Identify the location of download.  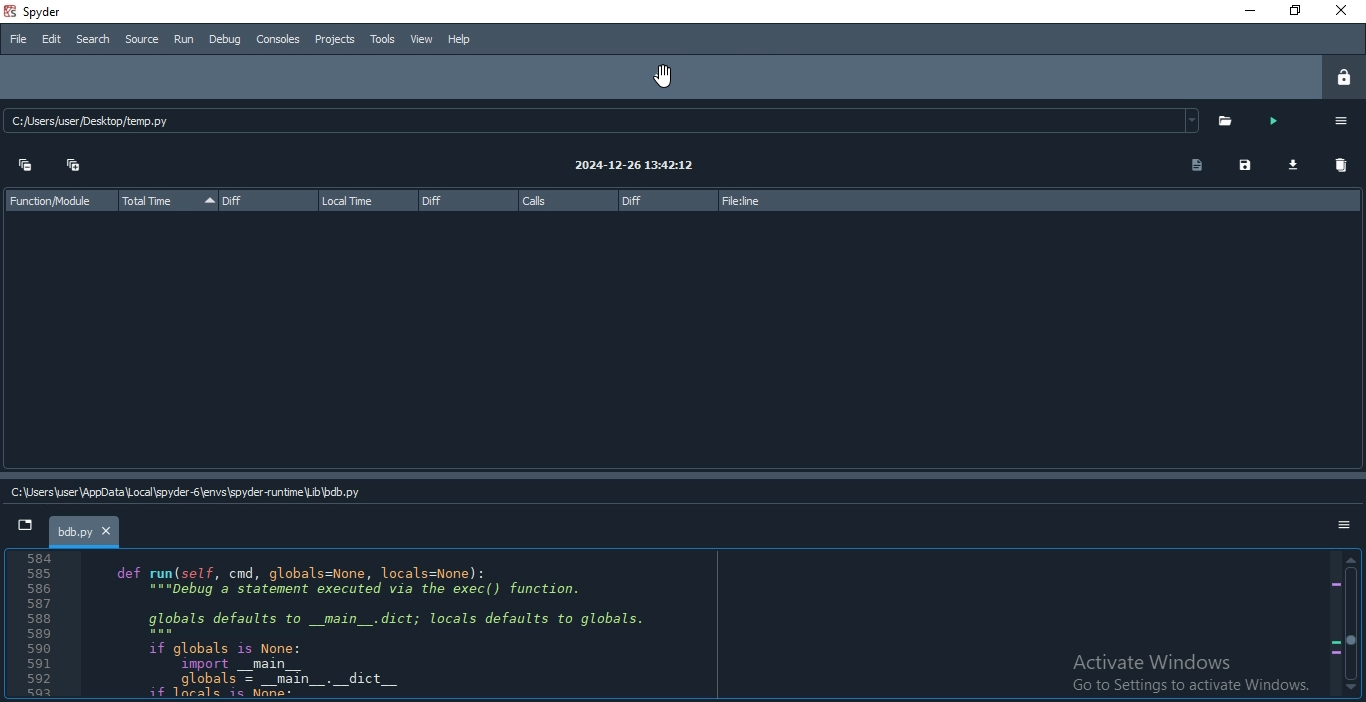
(1293, 165).